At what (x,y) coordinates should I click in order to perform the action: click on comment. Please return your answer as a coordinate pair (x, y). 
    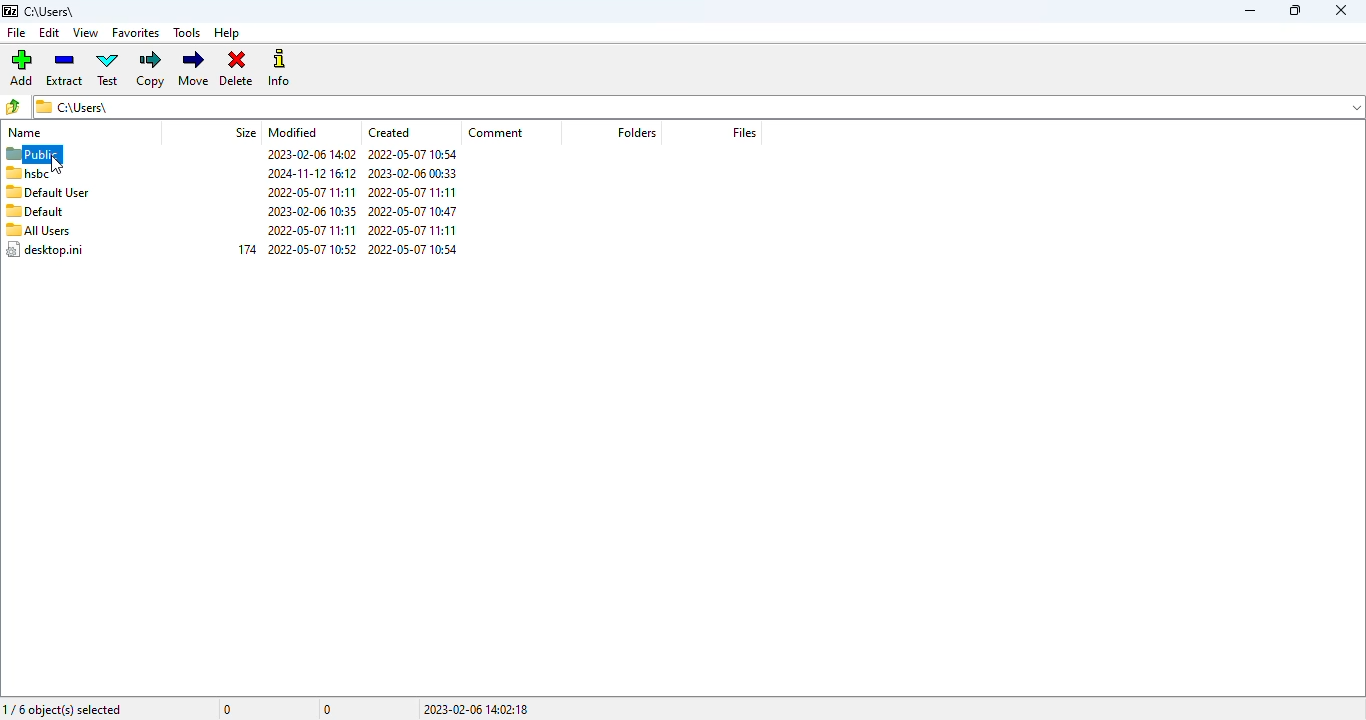
    Looking at the image, I should click on (496, 134).